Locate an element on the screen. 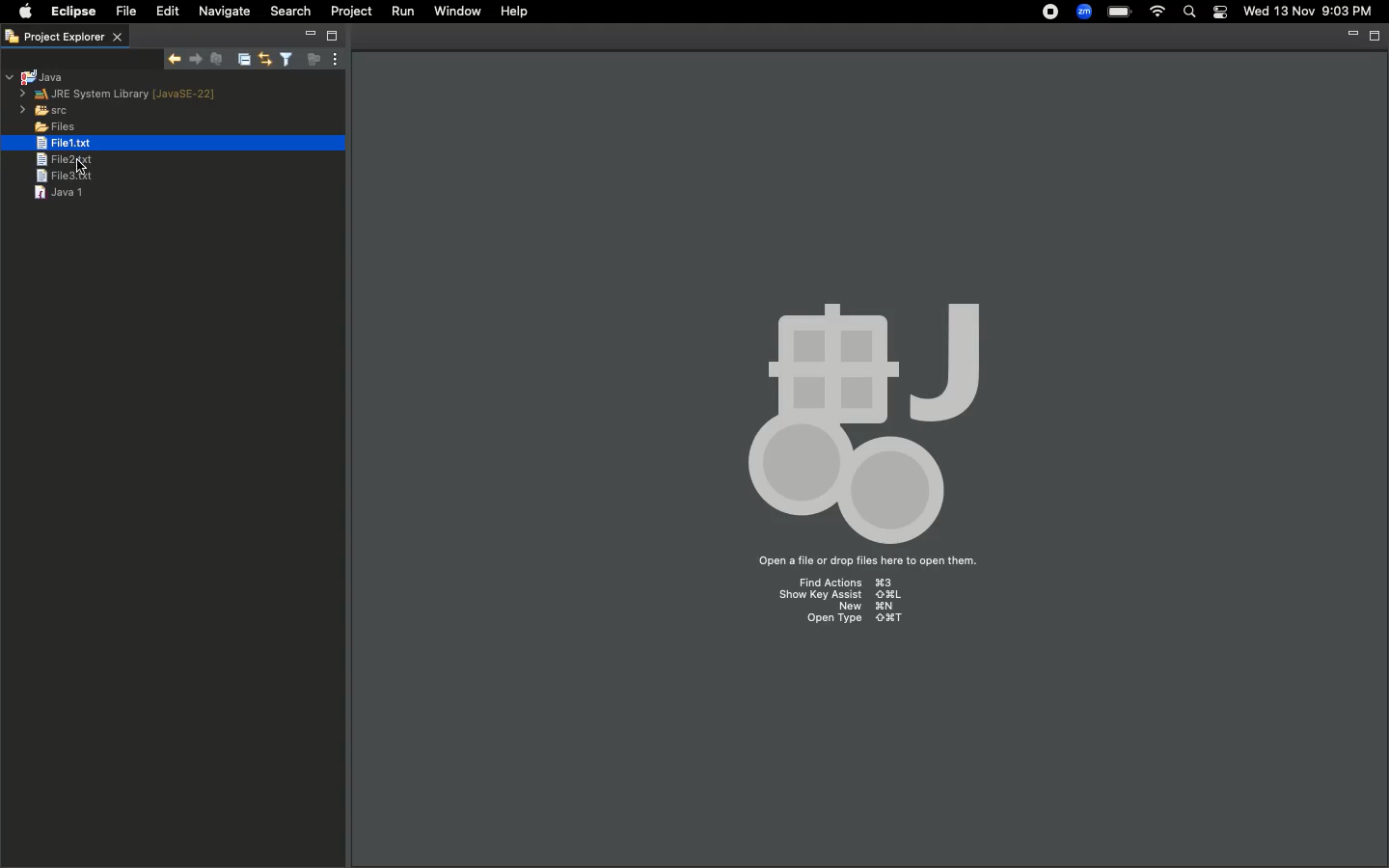 The image size is (1389, 868). Minimize is located at coordinates (1348, 36).